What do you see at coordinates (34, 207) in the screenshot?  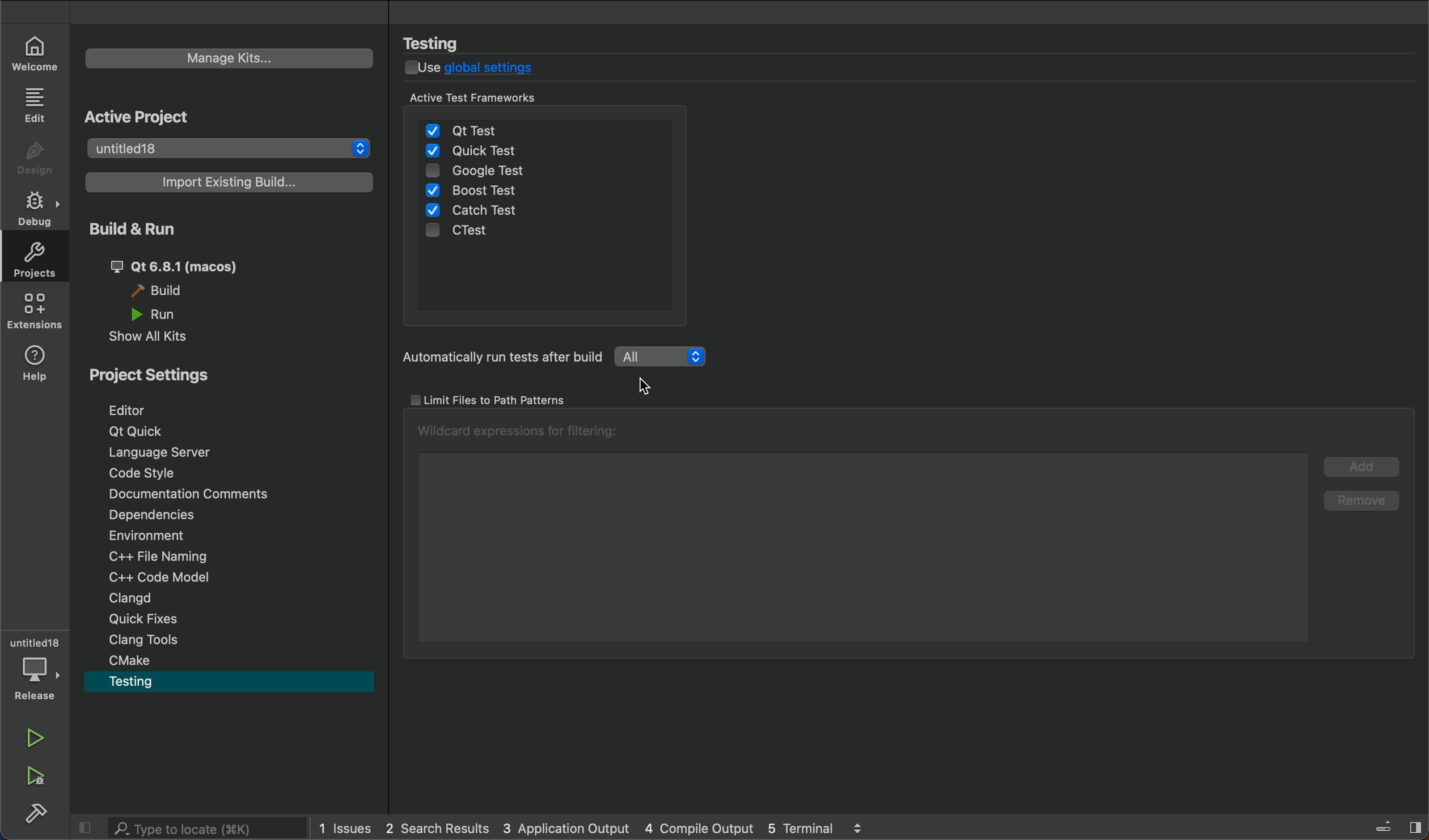 I see `debug` at bounding box center [34, 207].